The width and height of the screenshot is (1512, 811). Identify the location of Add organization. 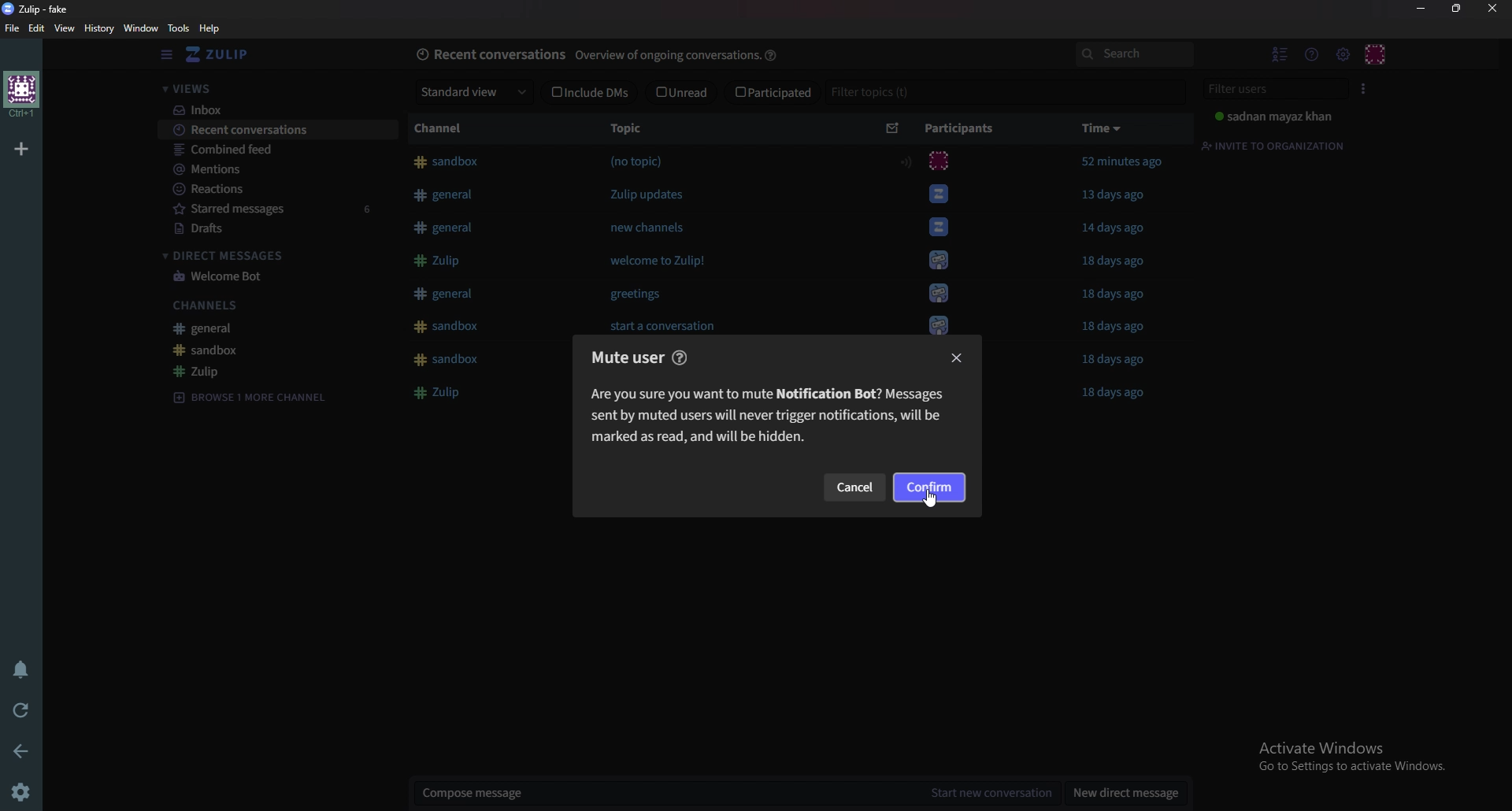
(24, 146).